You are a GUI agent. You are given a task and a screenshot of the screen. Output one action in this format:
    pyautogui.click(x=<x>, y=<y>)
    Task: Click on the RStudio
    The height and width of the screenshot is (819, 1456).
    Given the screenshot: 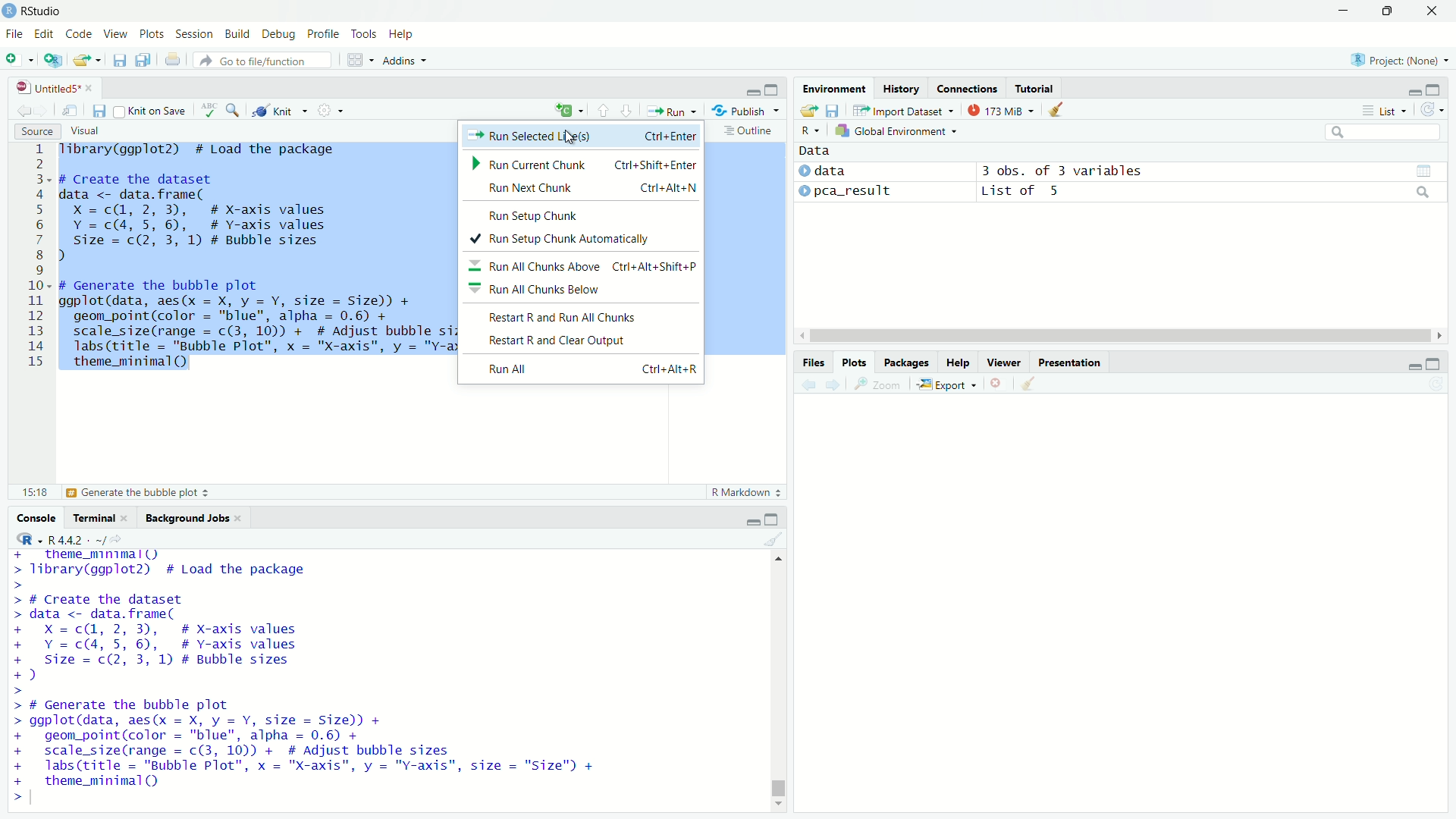 What is the action you would take?
    pyautogui.click(x=42, y=11)
    